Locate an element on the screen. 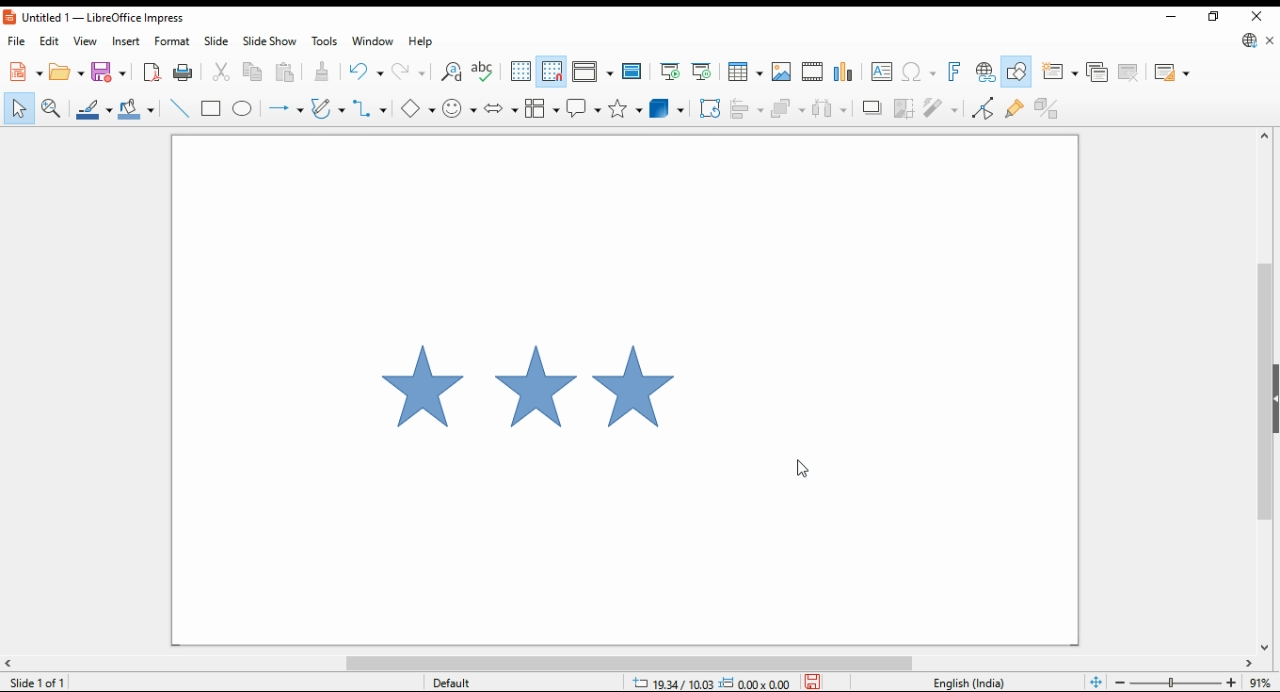 Image resolution: width=1280 pixels, height=692 pixels. crop is located at coordinates (903, 108).